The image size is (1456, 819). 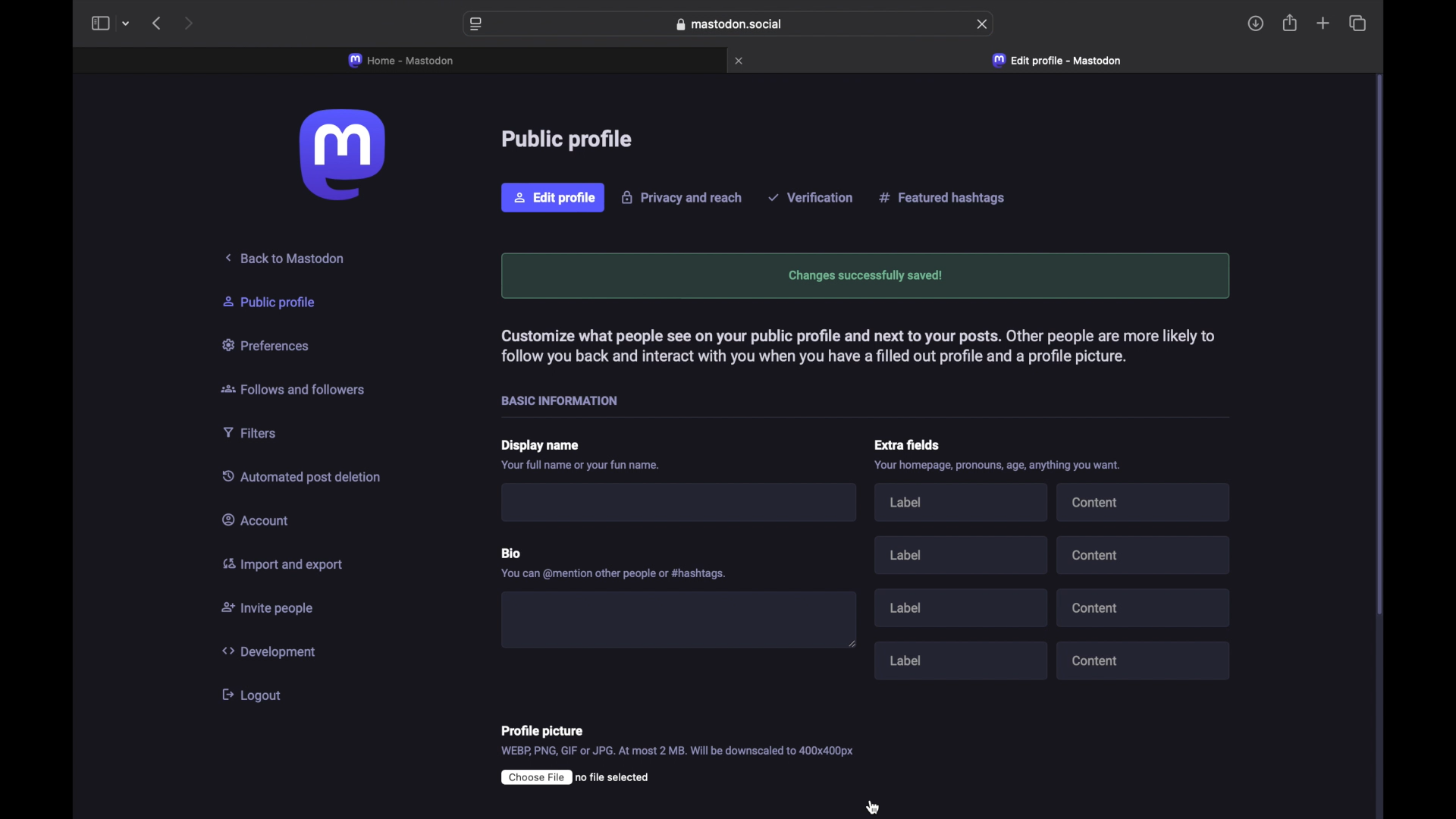 What do you see at coordinates (1357, 23) in the screenshot?
I see `show tab overview` at bounding box center [1357, 23].